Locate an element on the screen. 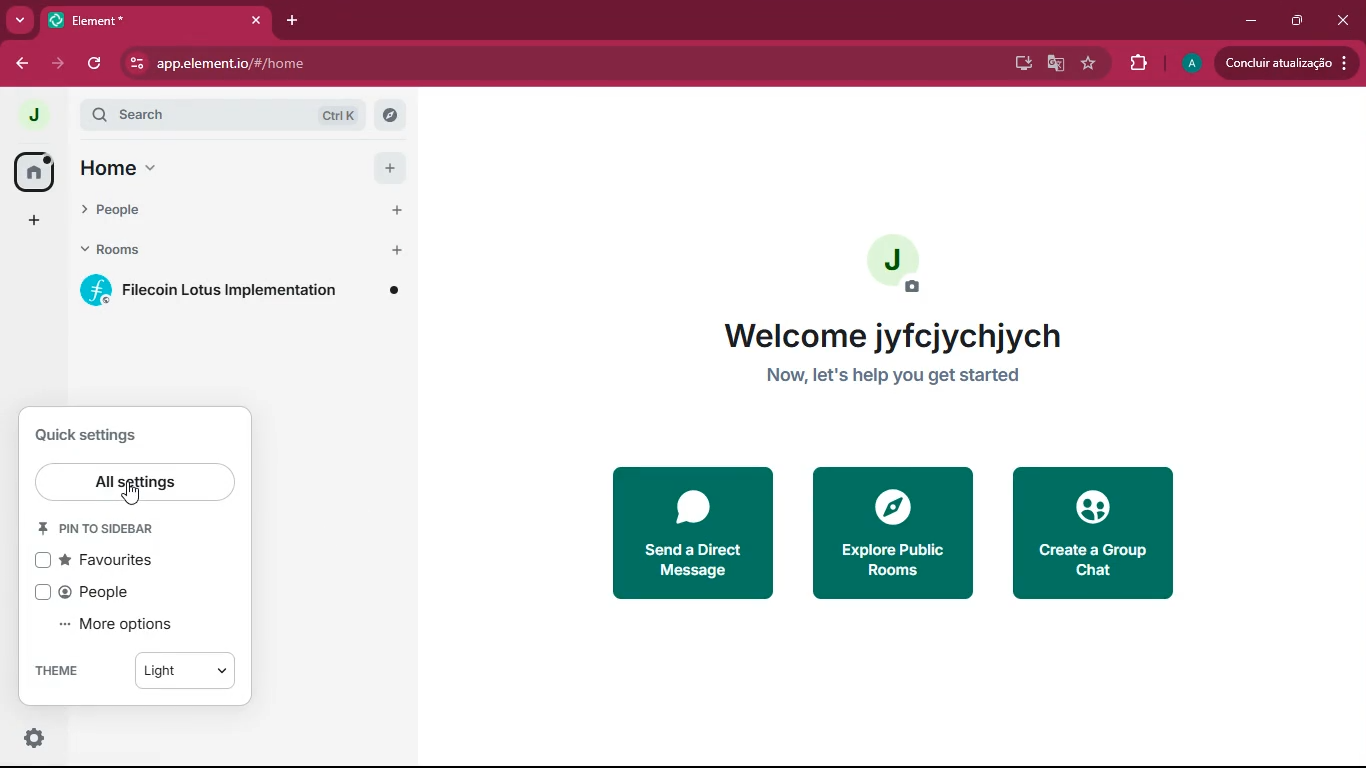 Image resolution: width=1366 pixels, height=768 pixels. quick settings is located at coordinates (35, 737).